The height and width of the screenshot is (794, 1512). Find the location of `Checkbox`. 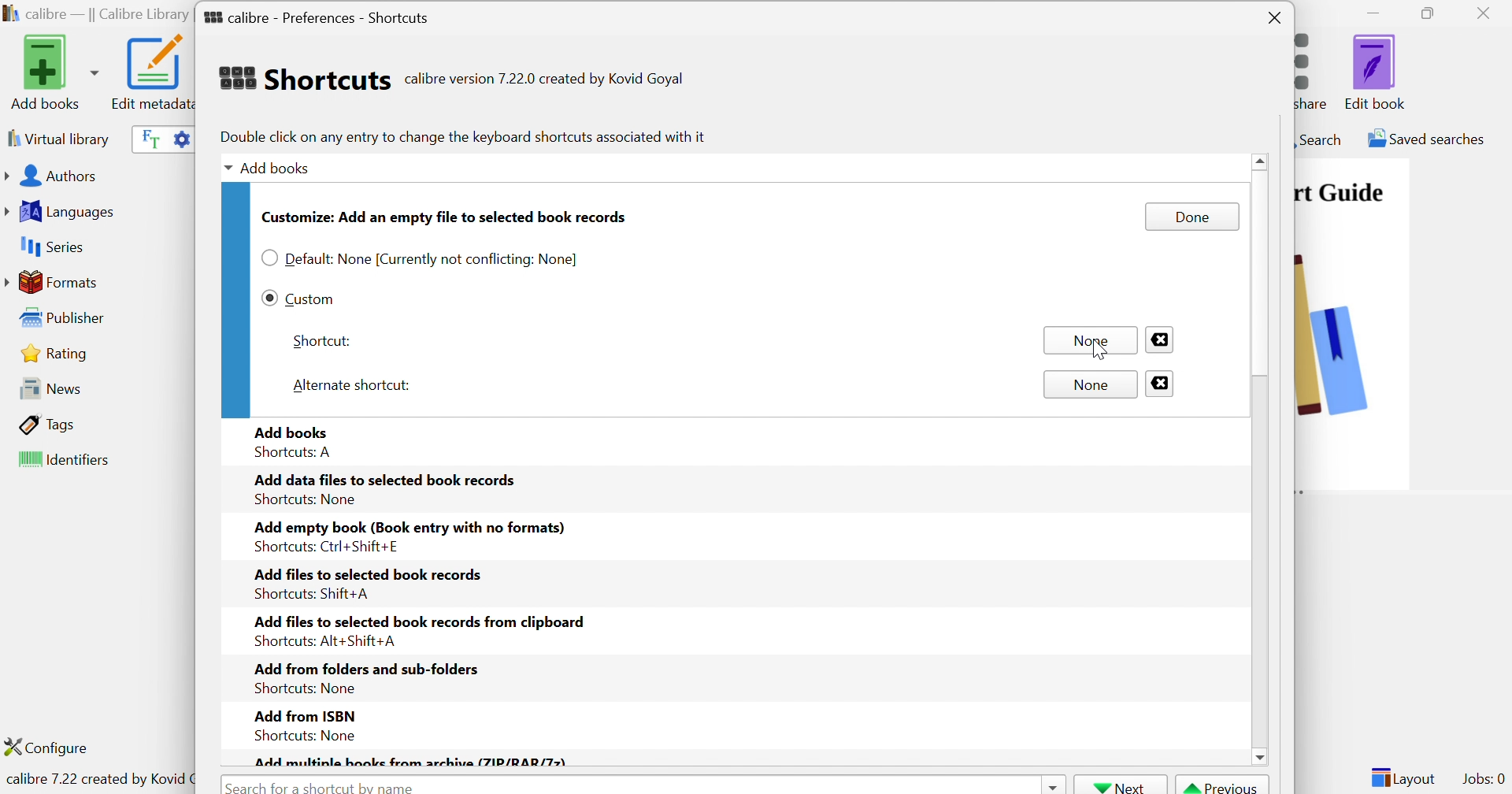

Checkbox is located at coordinates (269, 297).